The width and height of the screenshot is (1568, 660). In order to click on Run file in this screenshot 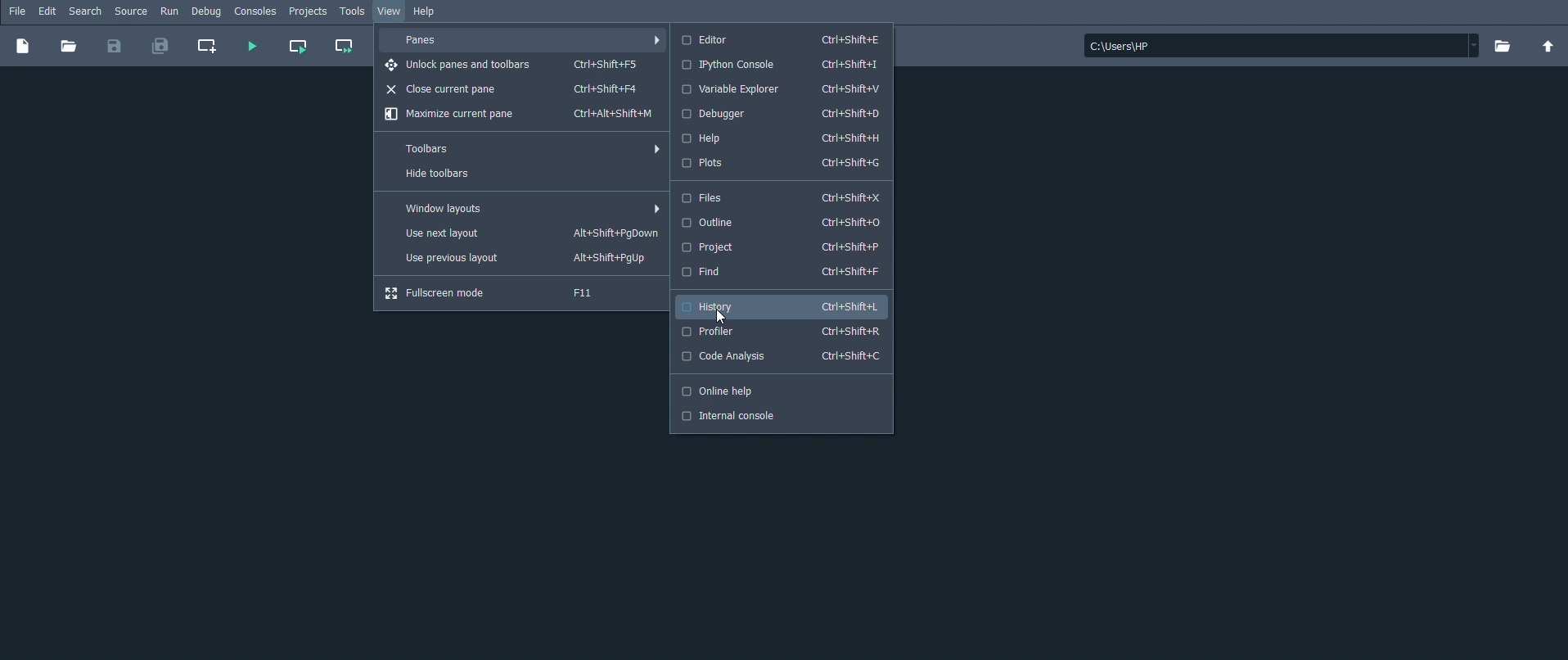, I will do `click(251, 47)`.